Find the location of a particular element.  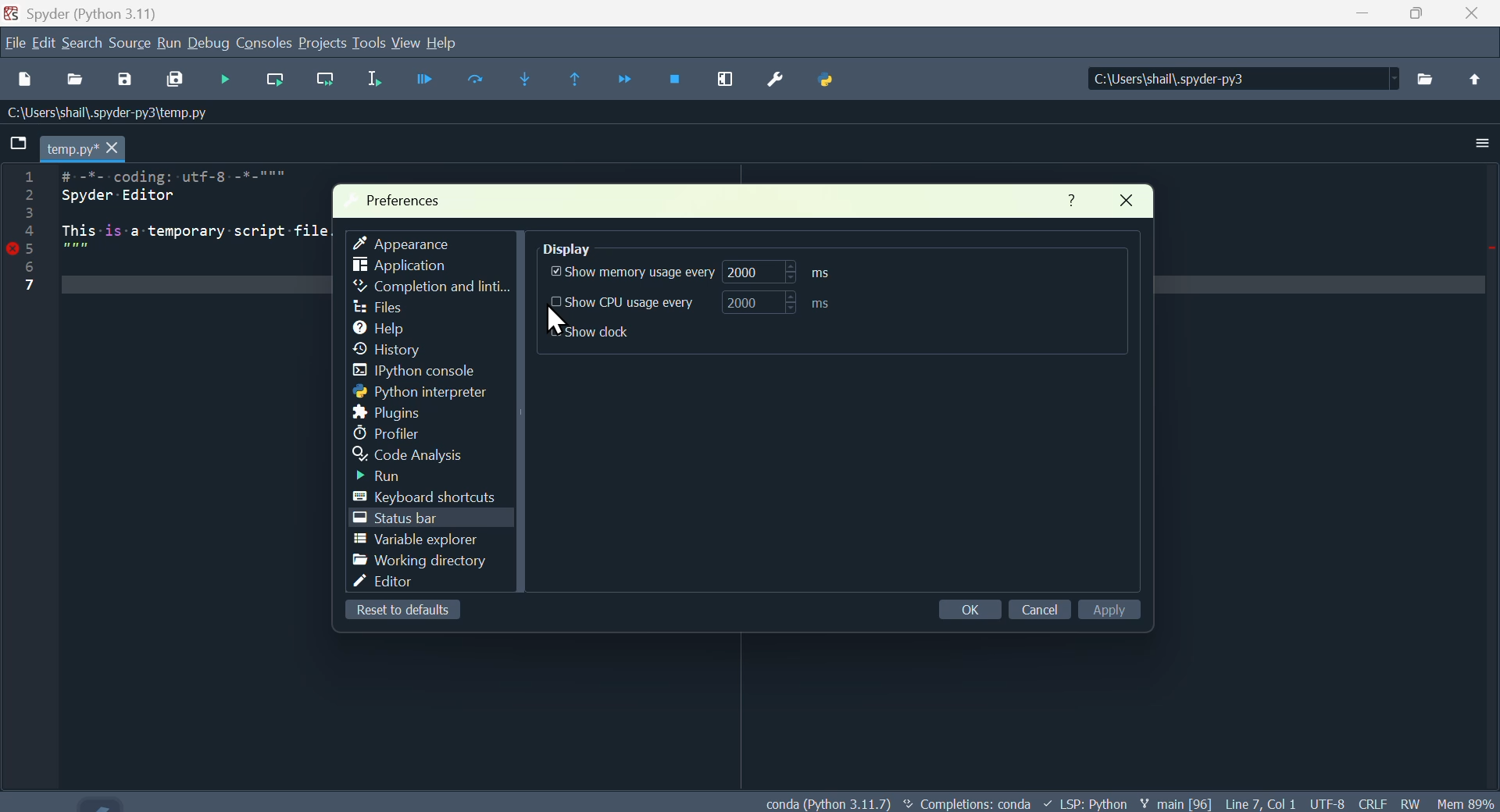

Project is located at coordinates (323, 45).